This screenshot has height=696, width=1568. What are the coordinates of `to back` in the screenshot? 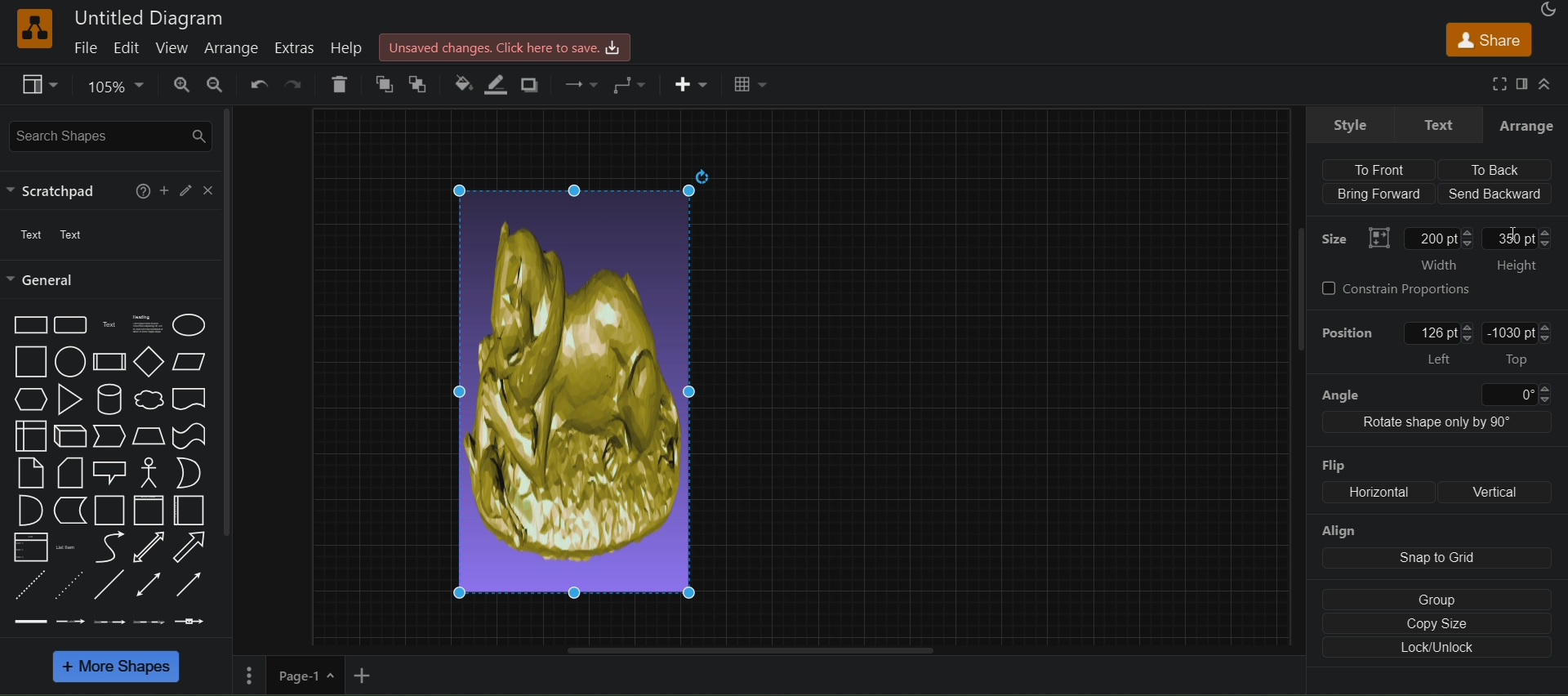 It's located at (417, 86).